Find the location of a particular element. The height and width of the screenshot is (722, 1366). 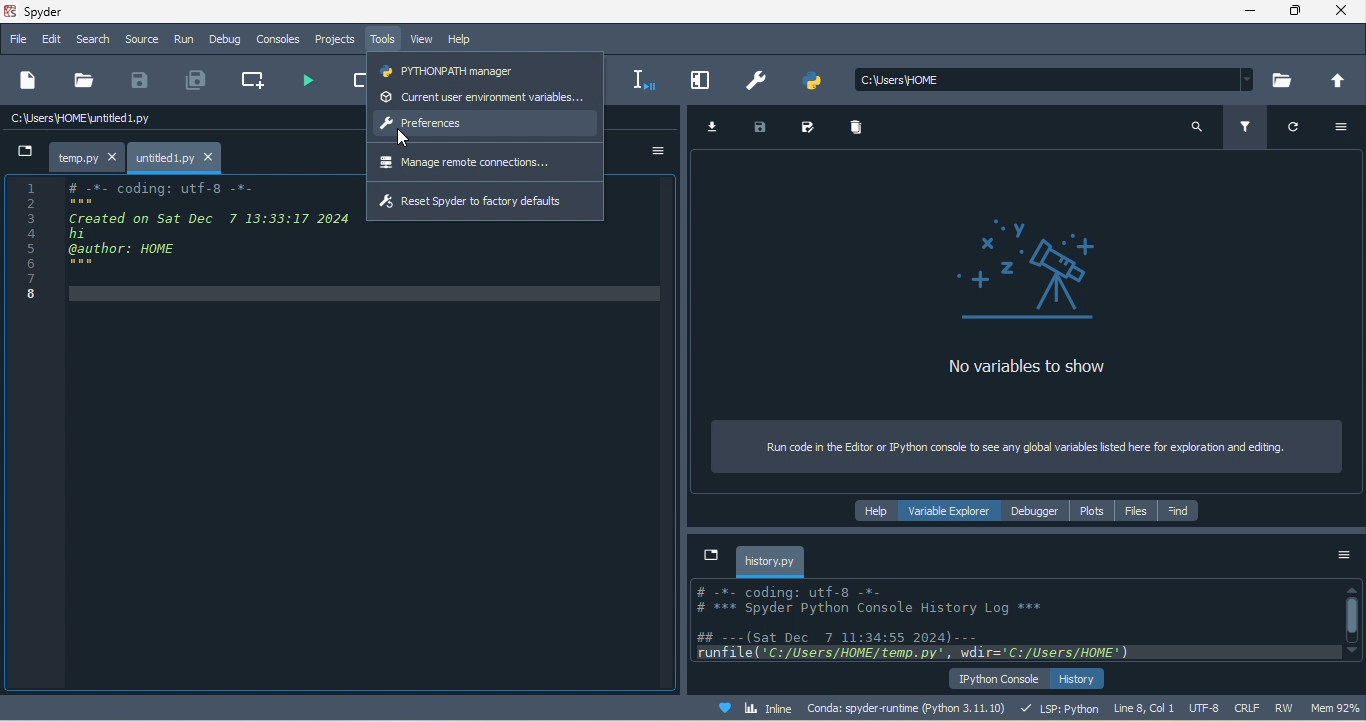

untitled1.py tab is located at coordinates (178, 156).